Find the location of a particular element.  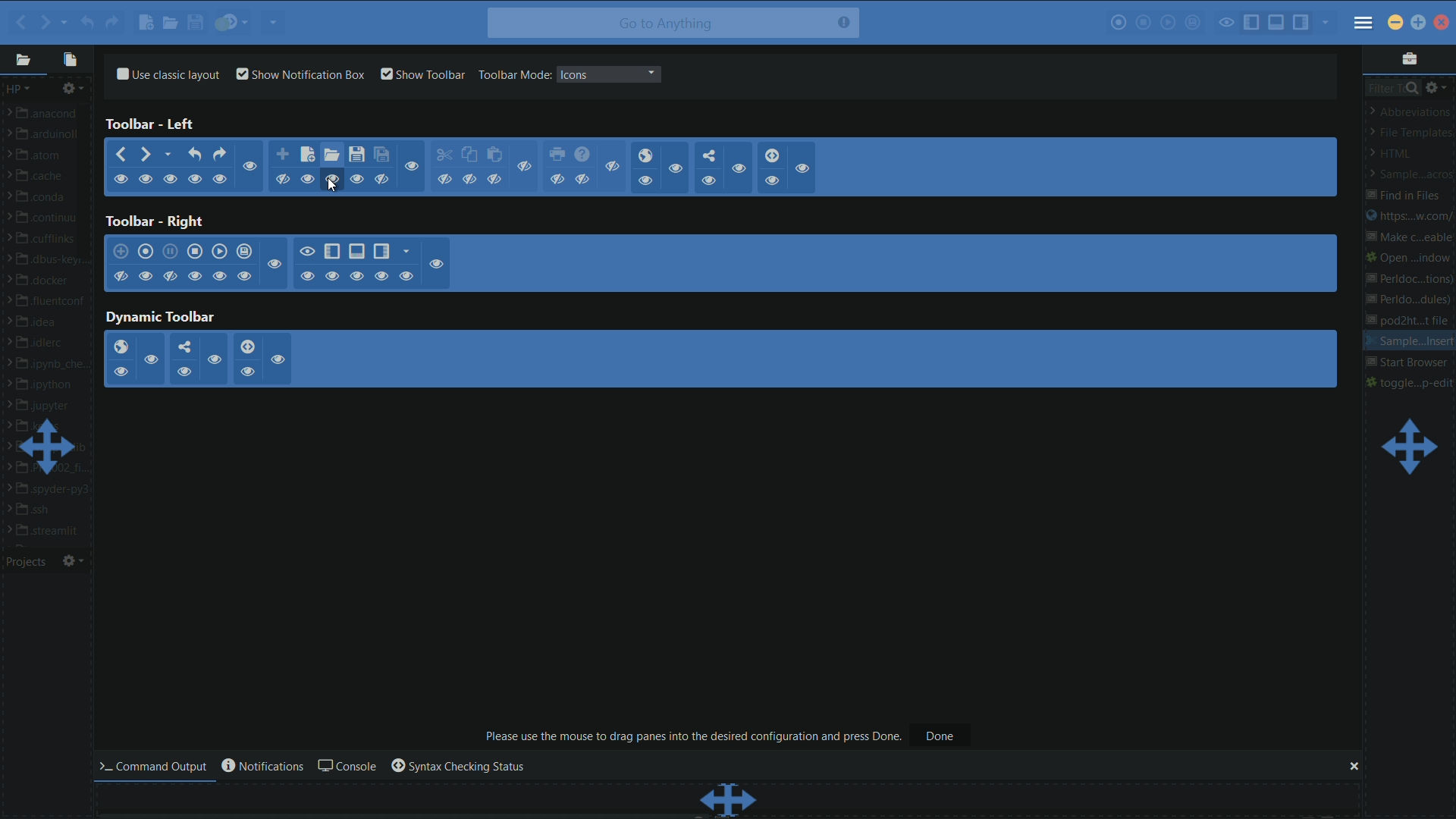

hide/show is located at coordinates (121, 277).